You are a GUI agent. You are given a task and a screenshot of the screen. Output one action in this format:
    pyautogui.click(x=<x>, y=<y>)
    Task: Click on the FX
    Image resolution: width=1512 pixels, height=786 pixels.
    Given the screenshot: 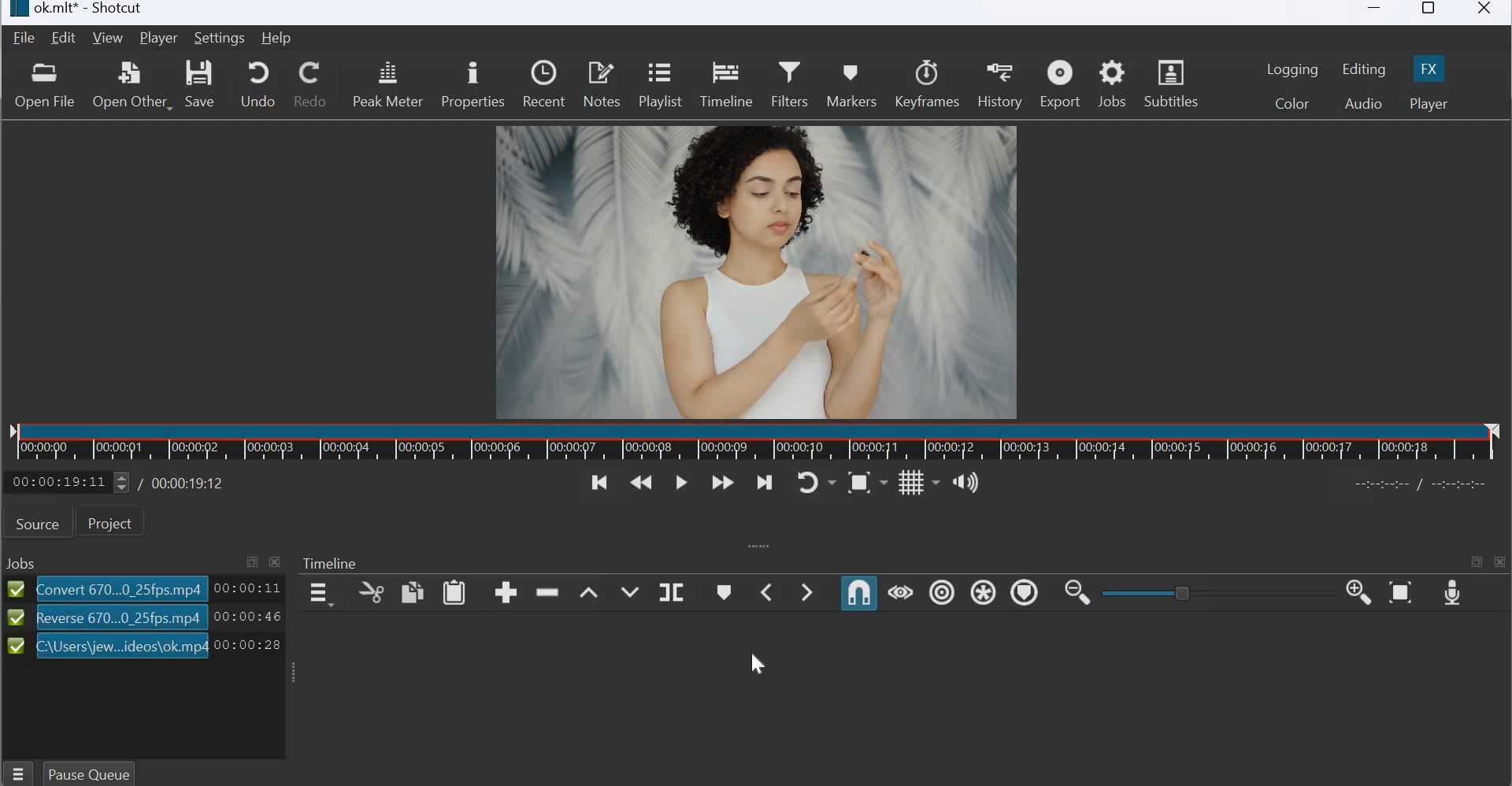 What is the action you would take?
    pyautogui.click(x=1429, y=68)
    